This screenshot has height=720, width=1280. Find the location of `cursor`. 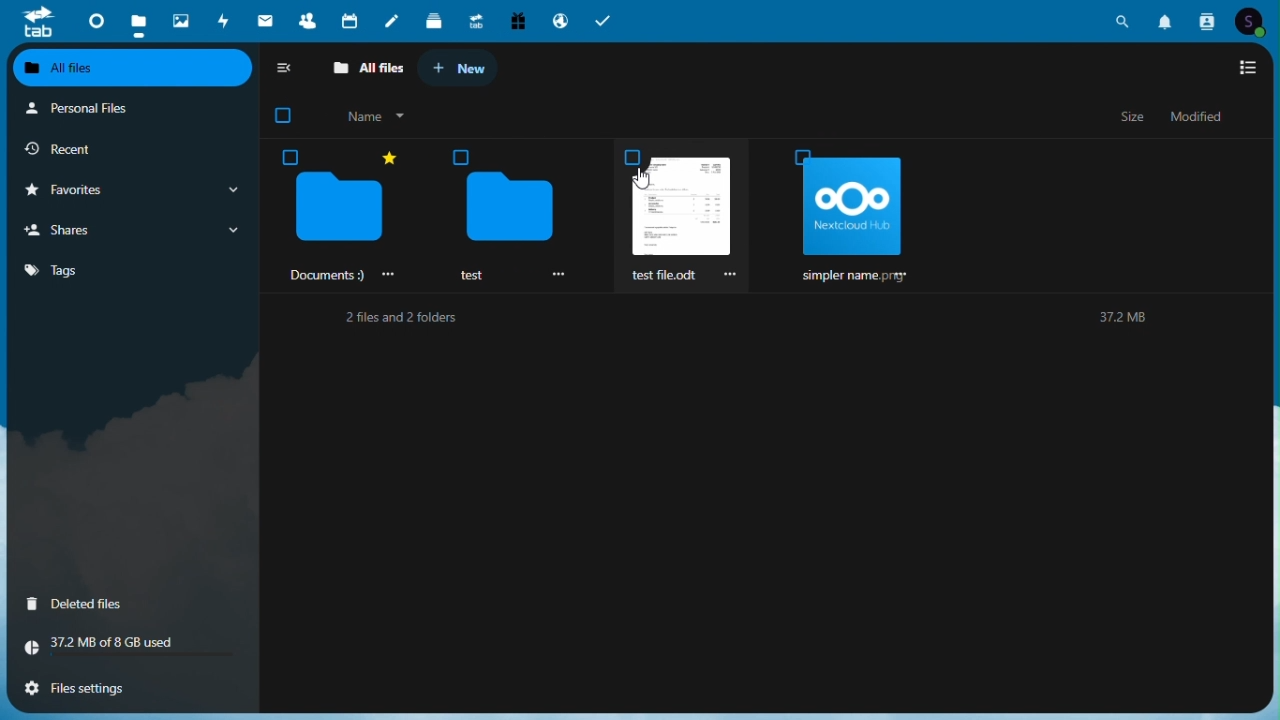

cursor is located at coordinates (644, 178).